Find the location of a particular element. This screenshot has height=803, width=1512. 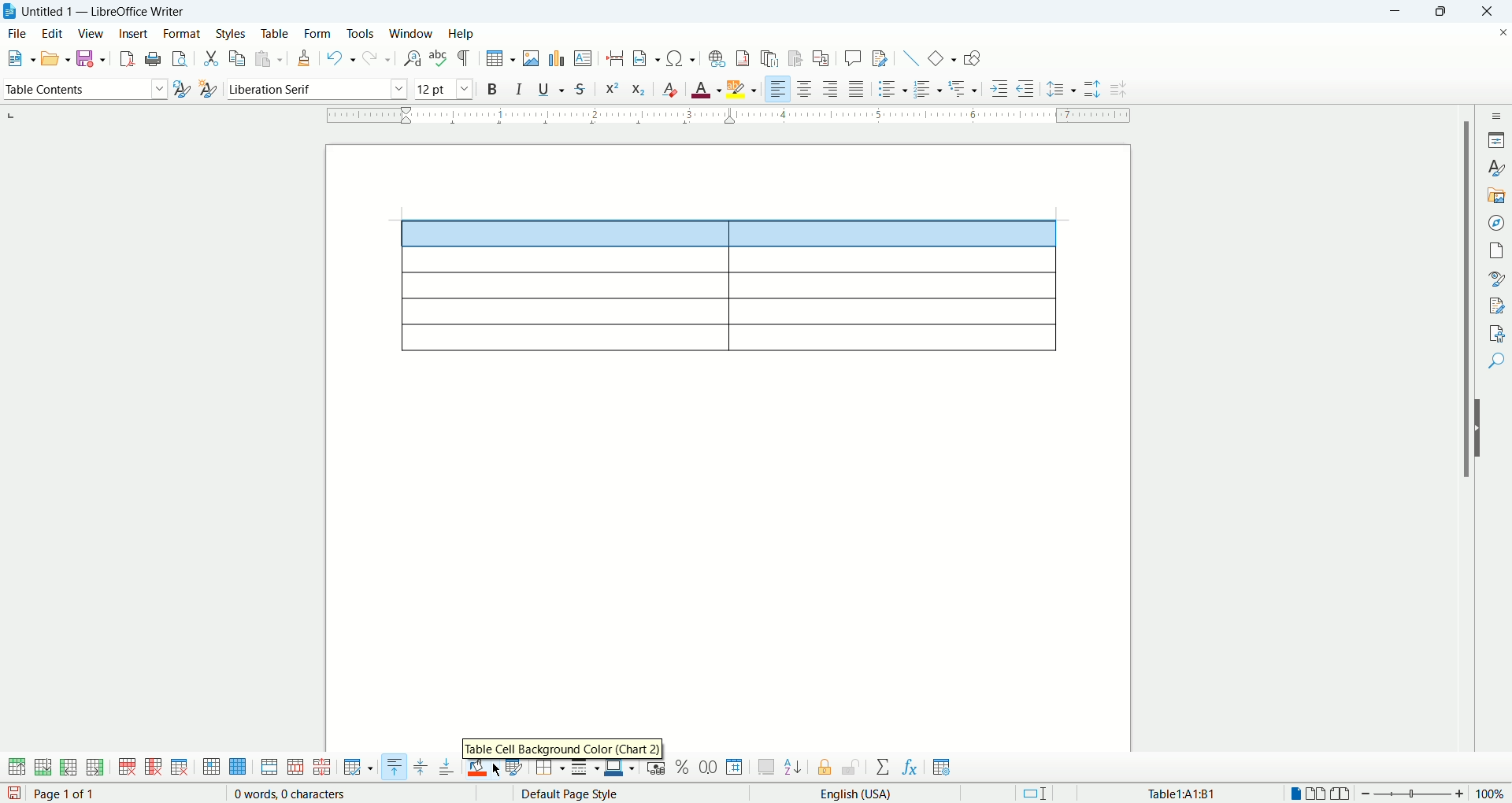

cursor is located at coordinates (498, 770).